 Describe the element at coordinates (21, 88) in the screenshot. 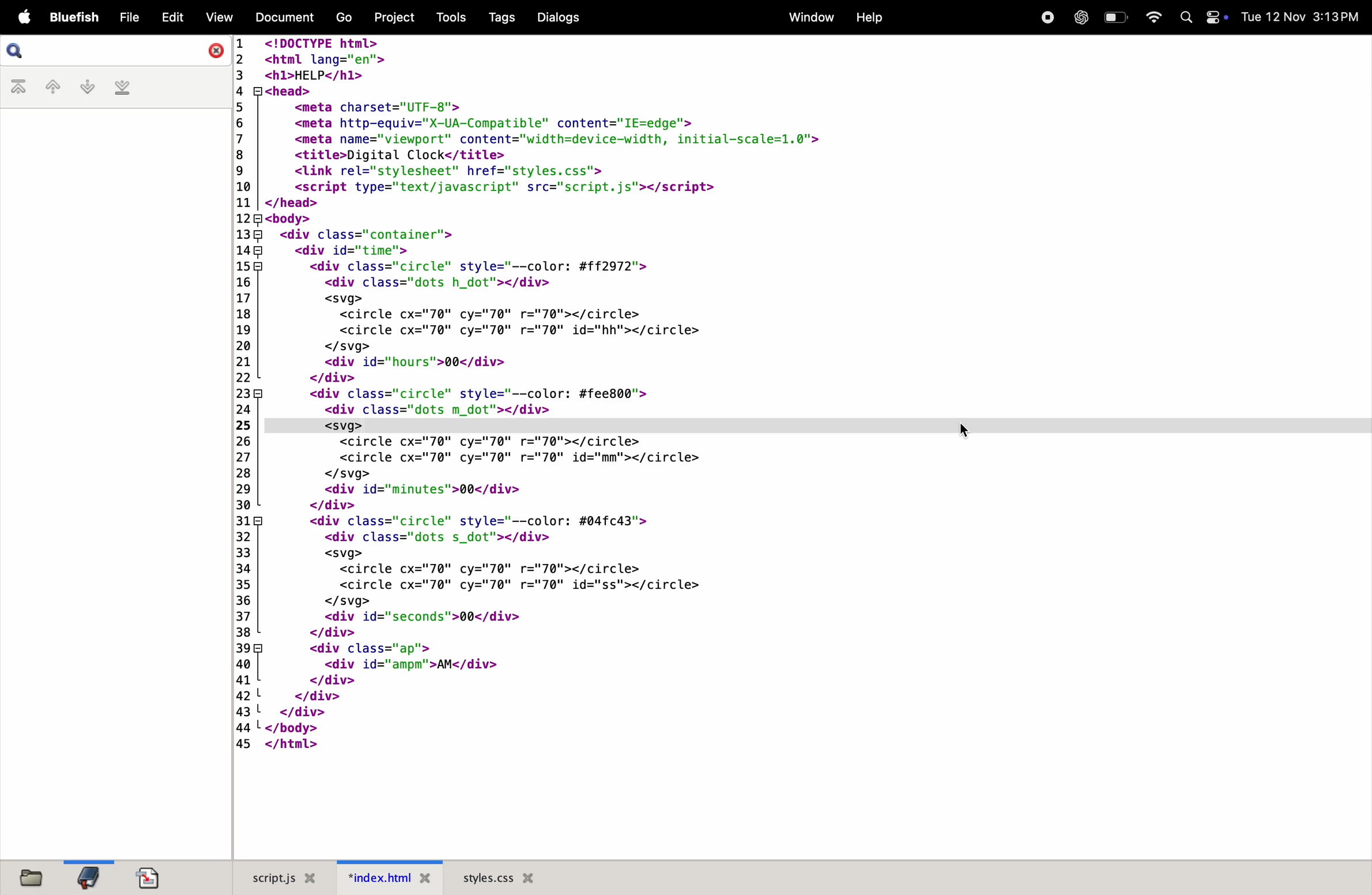

I see `first book mark` at that location.